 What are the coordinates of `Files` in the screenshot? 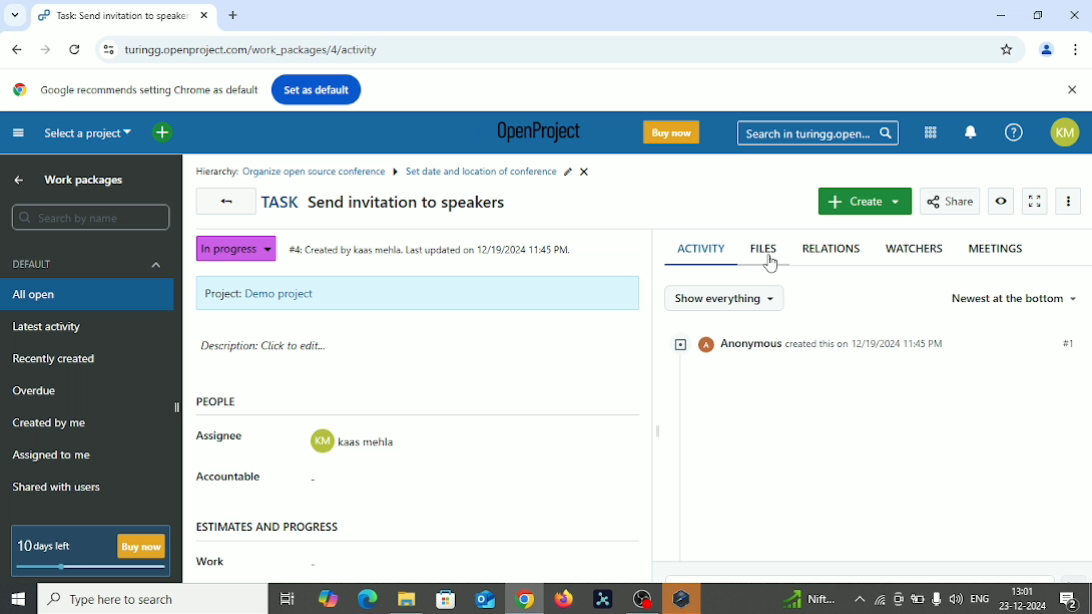 It's located at (766, 247).